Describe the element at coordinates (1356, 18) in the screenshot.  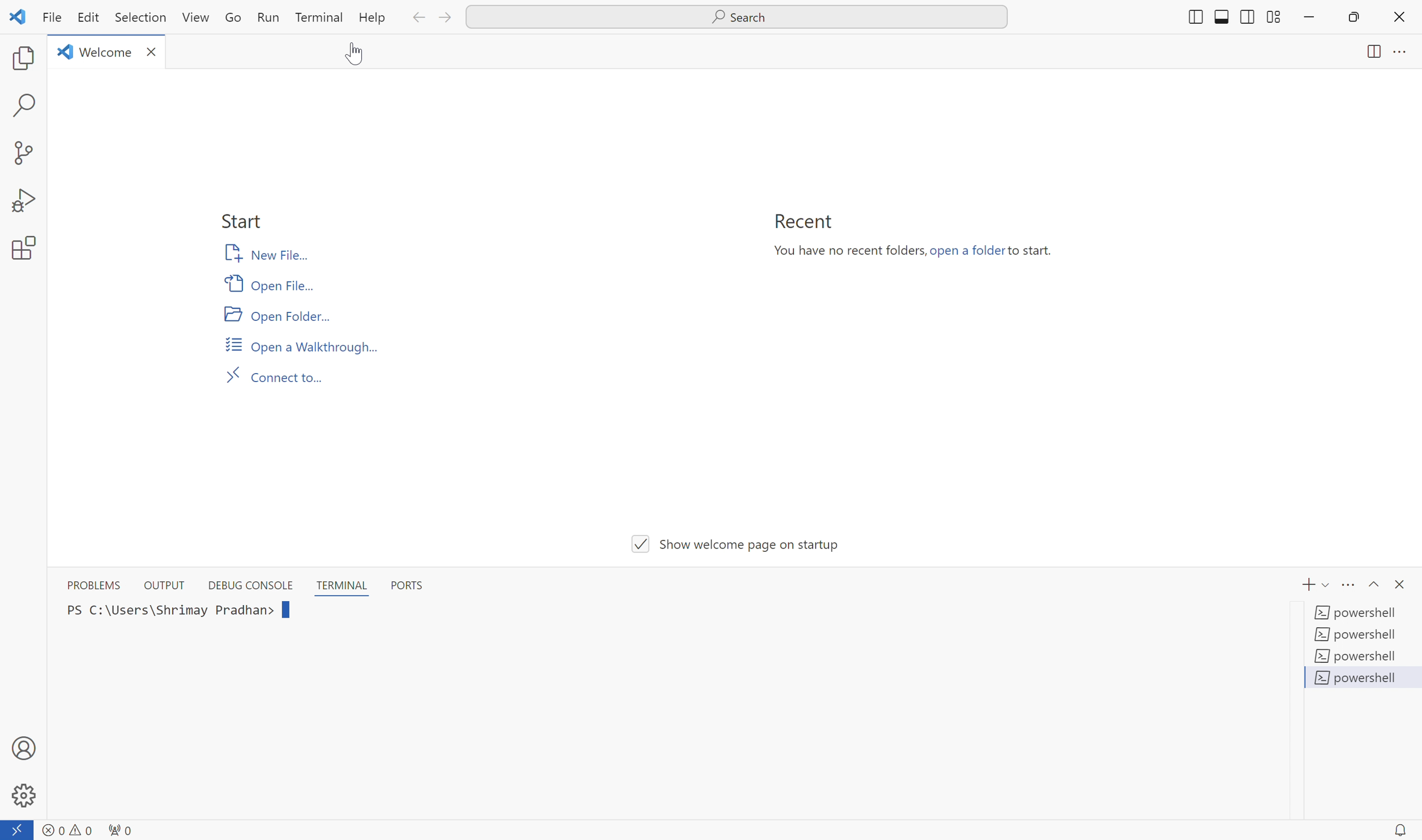
I see `maximize` at that location.